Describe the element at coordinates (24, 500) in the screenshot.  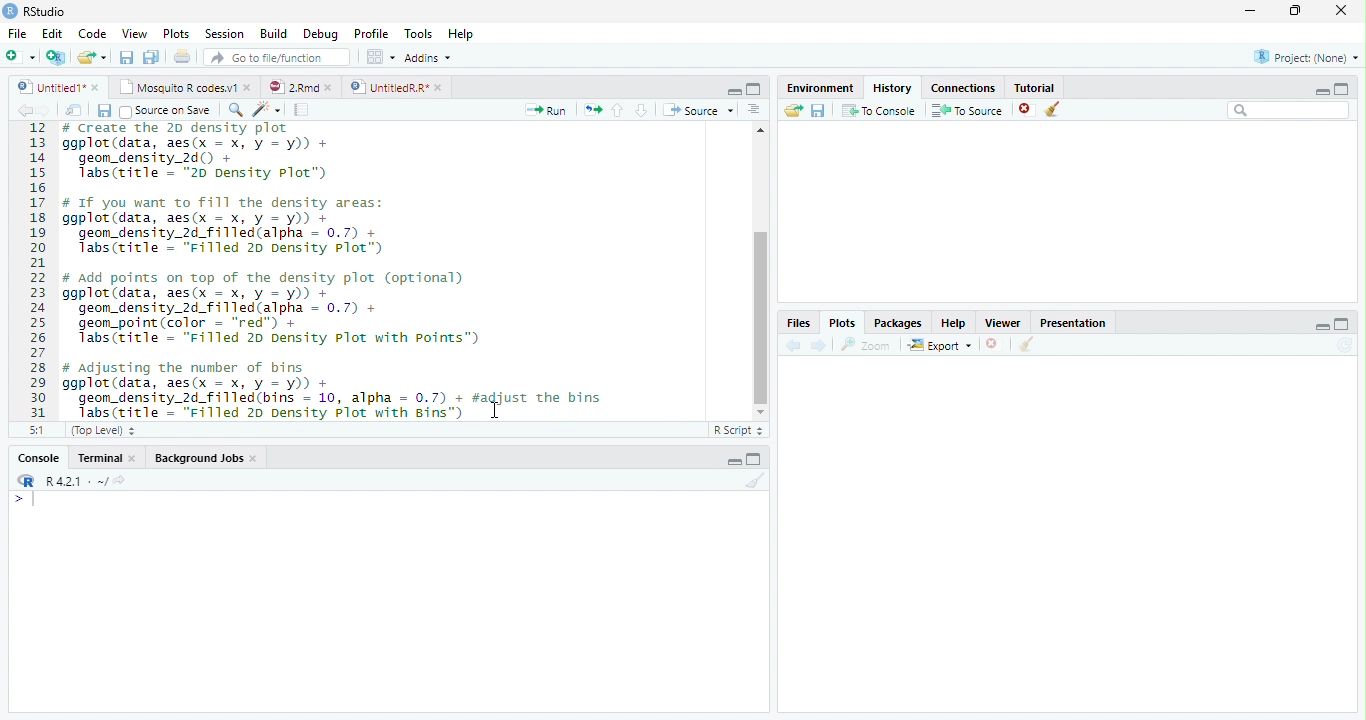
I see `>` at that location.